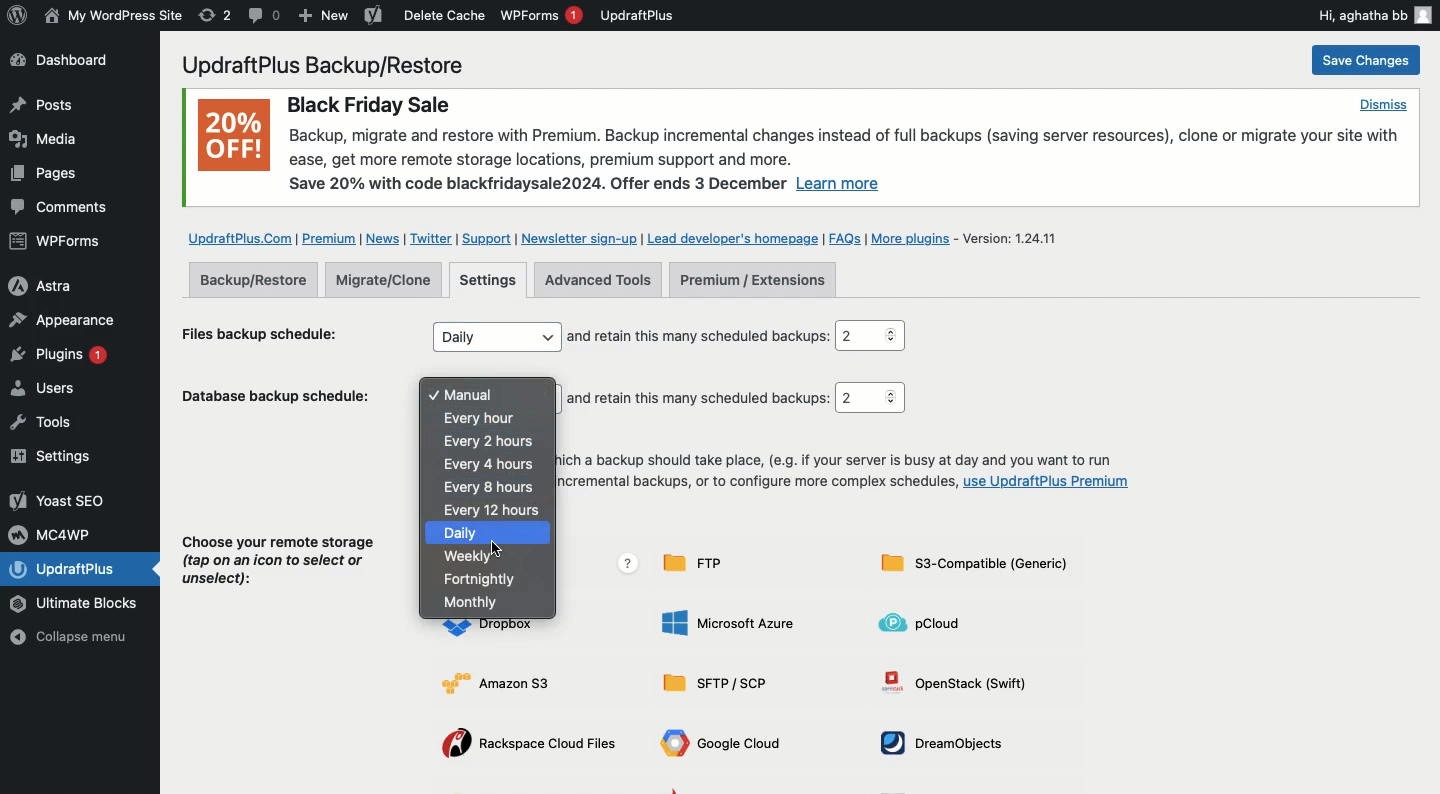  What do you see at coordinates (280, 400) in the screenshot?
I see `Database backup schedule` at bounding box center [280, 400].